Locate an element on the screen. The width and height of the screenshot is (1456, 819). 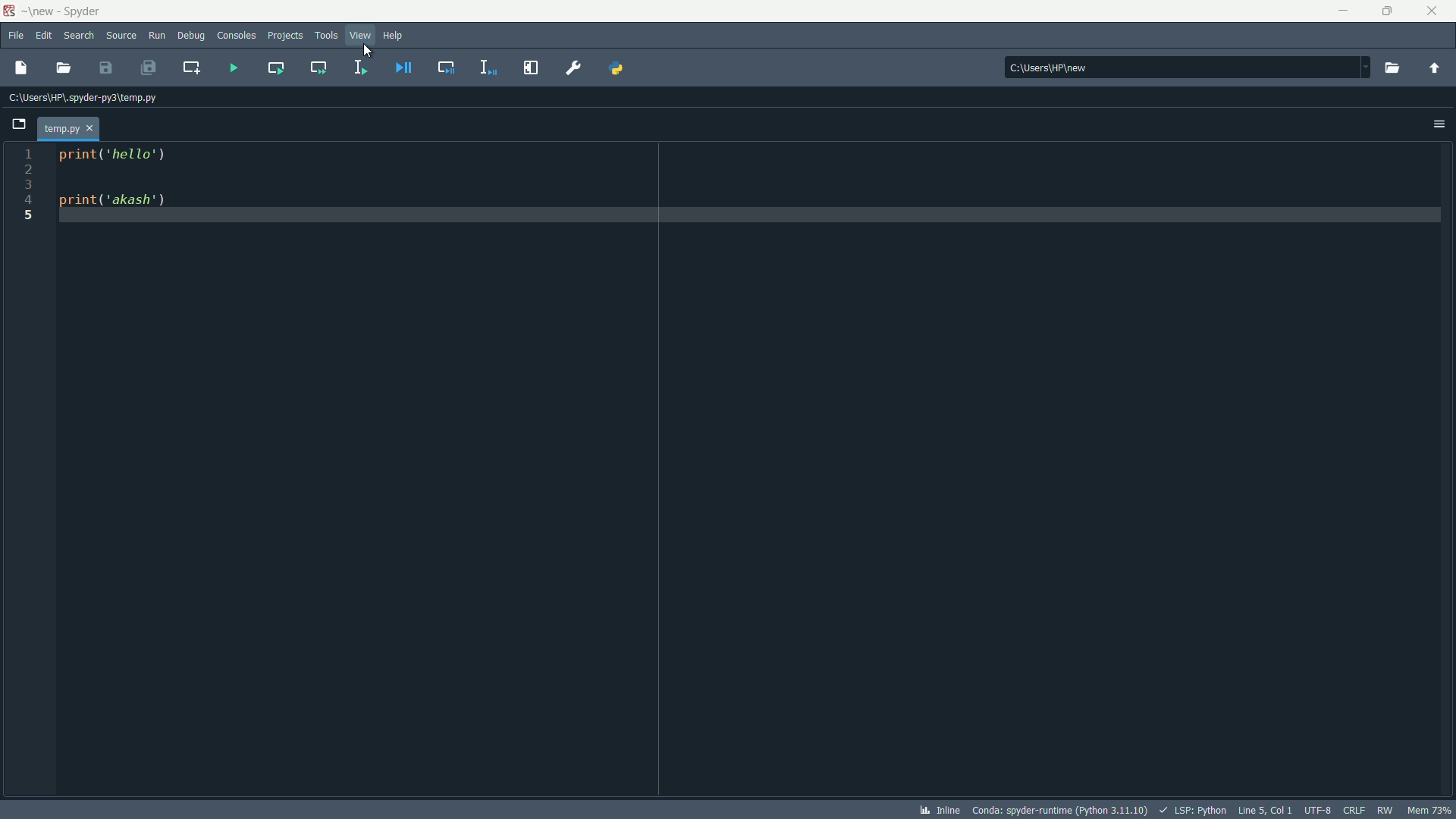
maximize current pane is located at coordinates (531, 67).